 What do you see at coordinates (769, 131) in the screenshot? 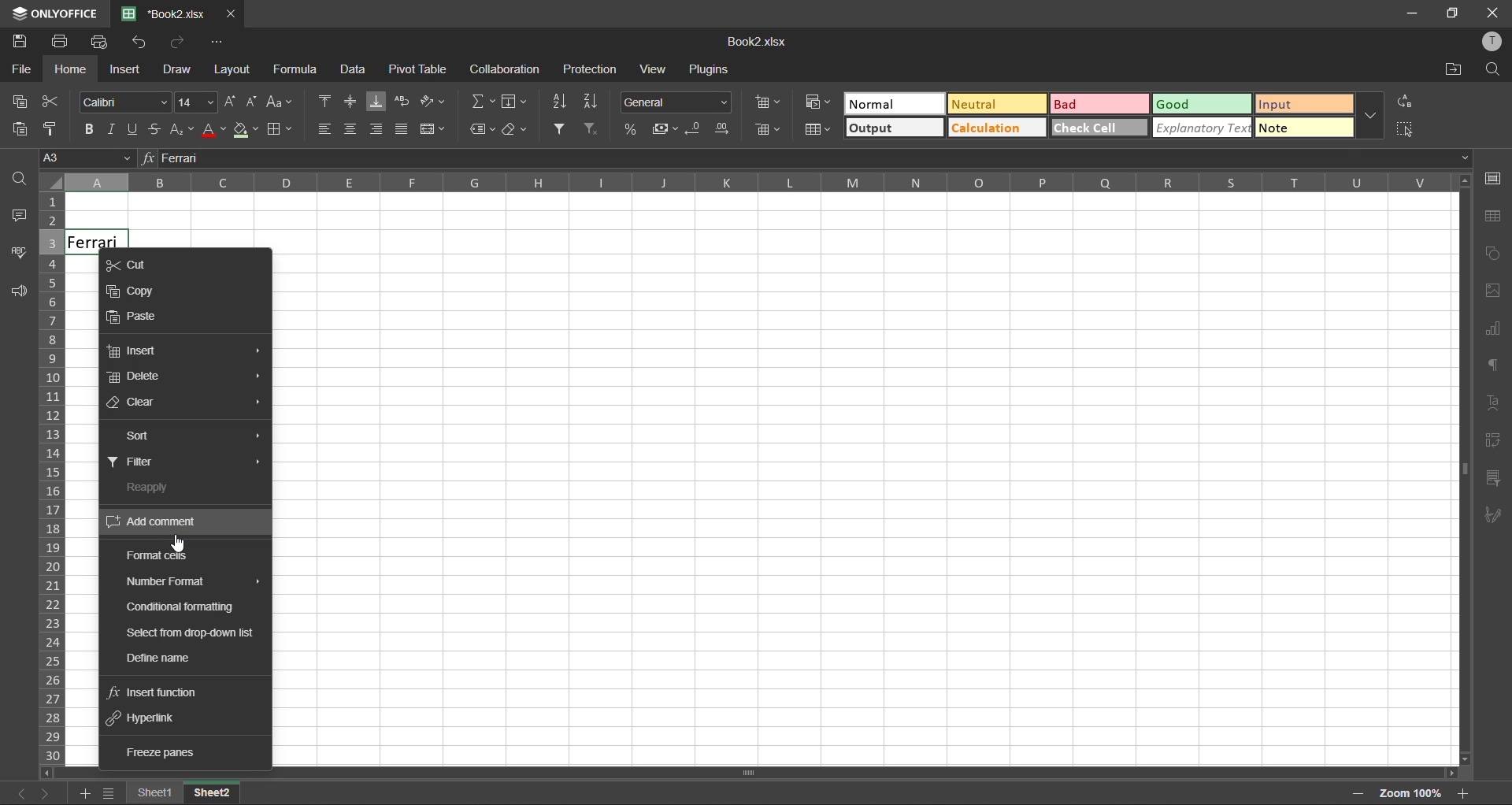
I see `delete cells` at bounding box center [769, 131].